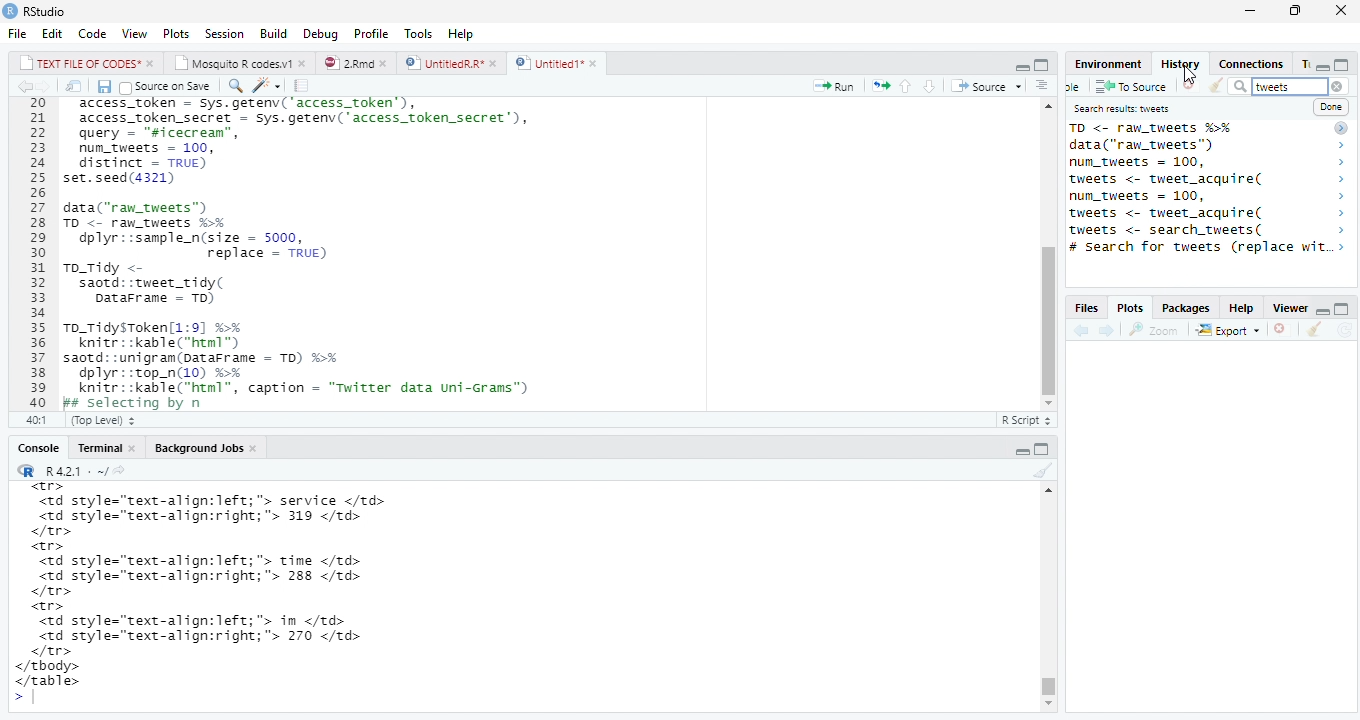 Image resolution: width=1360 pixels, height=720 pixels. Describe the element at coordinates (992, 86) in the screenshot. I see `+ Source` at that location.